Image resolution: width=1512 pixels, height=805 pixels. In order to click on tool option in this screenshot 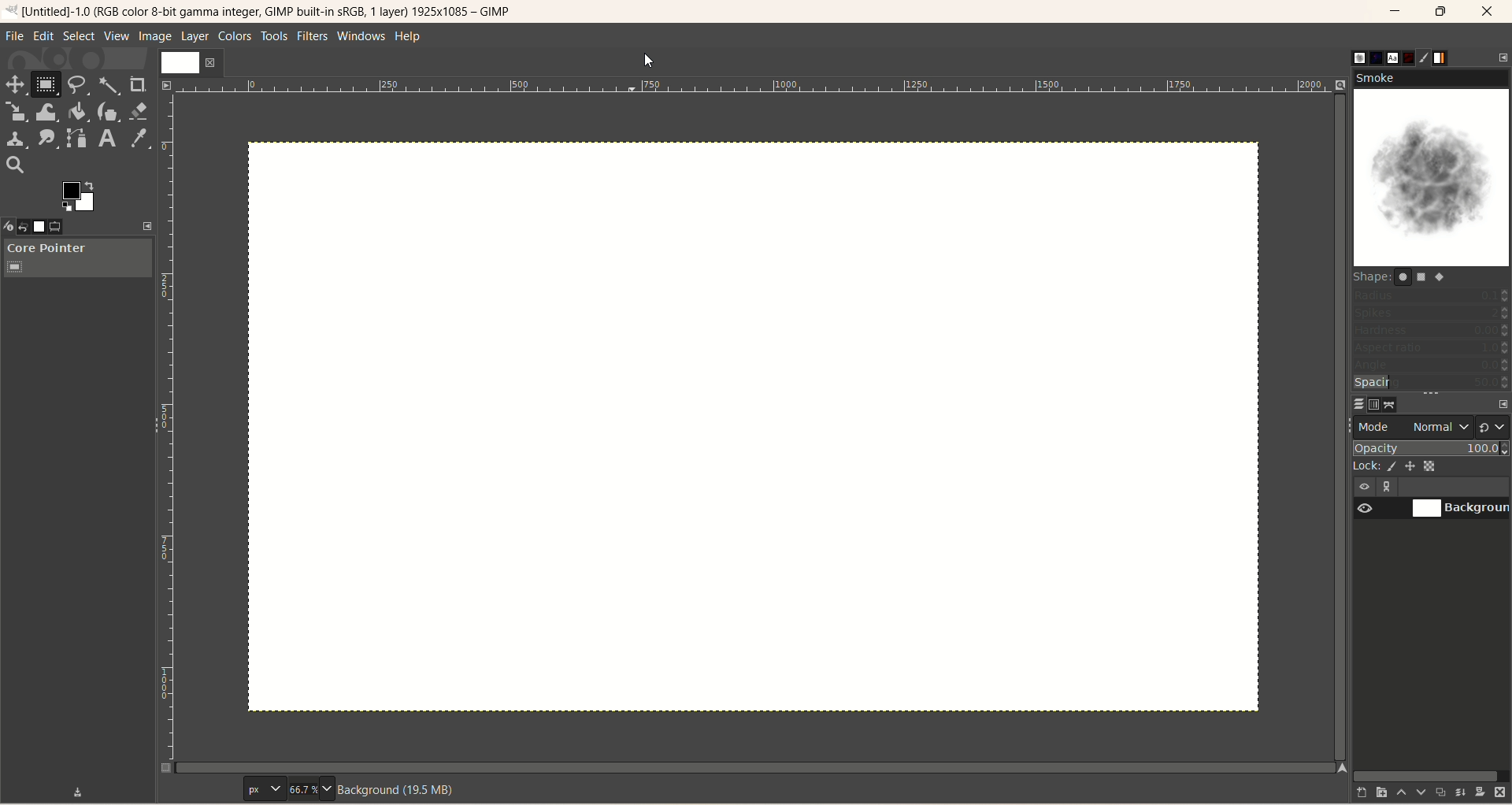, I will do `click(68, 228)`.